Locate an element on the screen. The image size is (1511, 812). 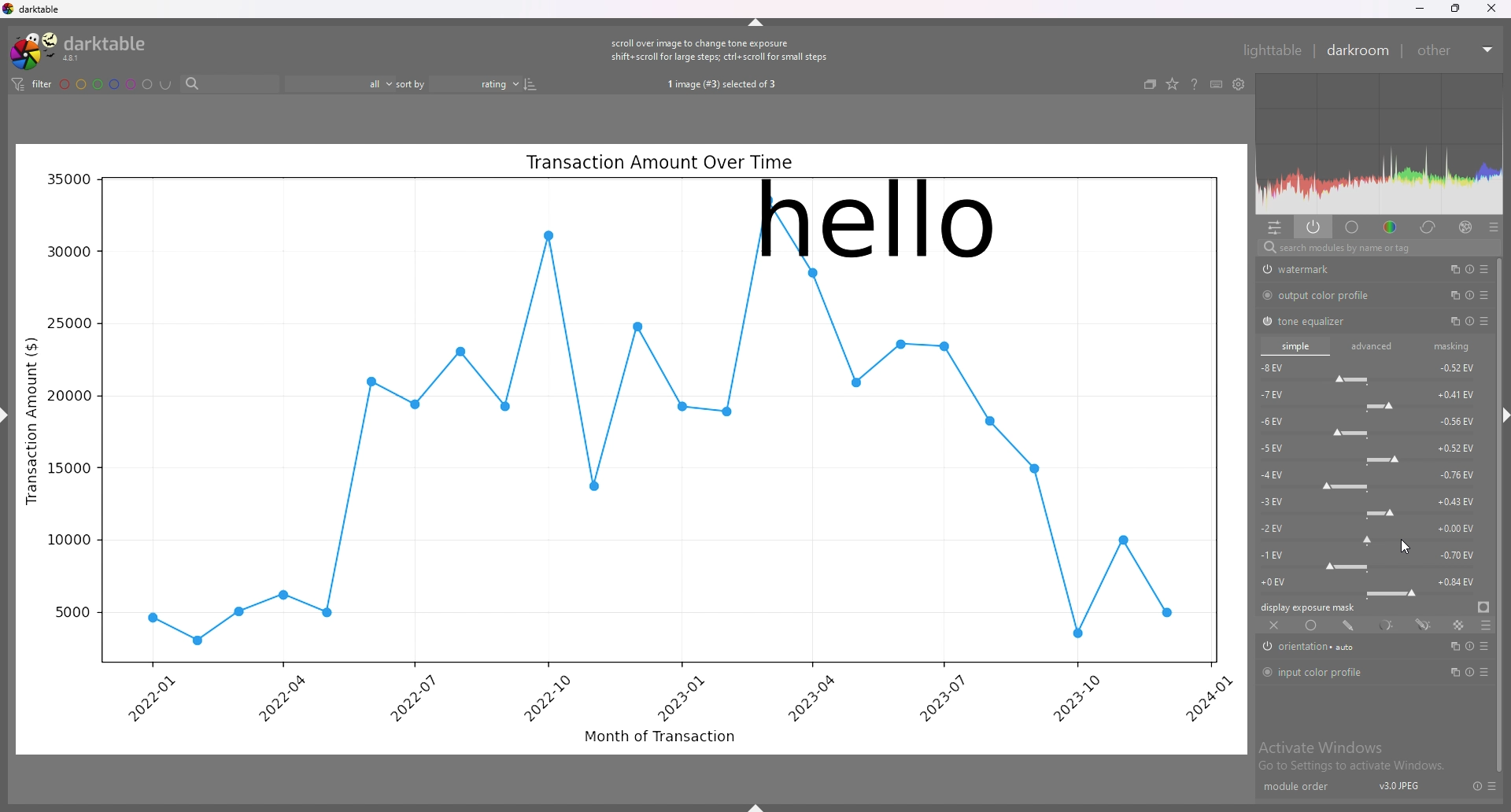
show only active modules is located at coordinates (1314, 228).